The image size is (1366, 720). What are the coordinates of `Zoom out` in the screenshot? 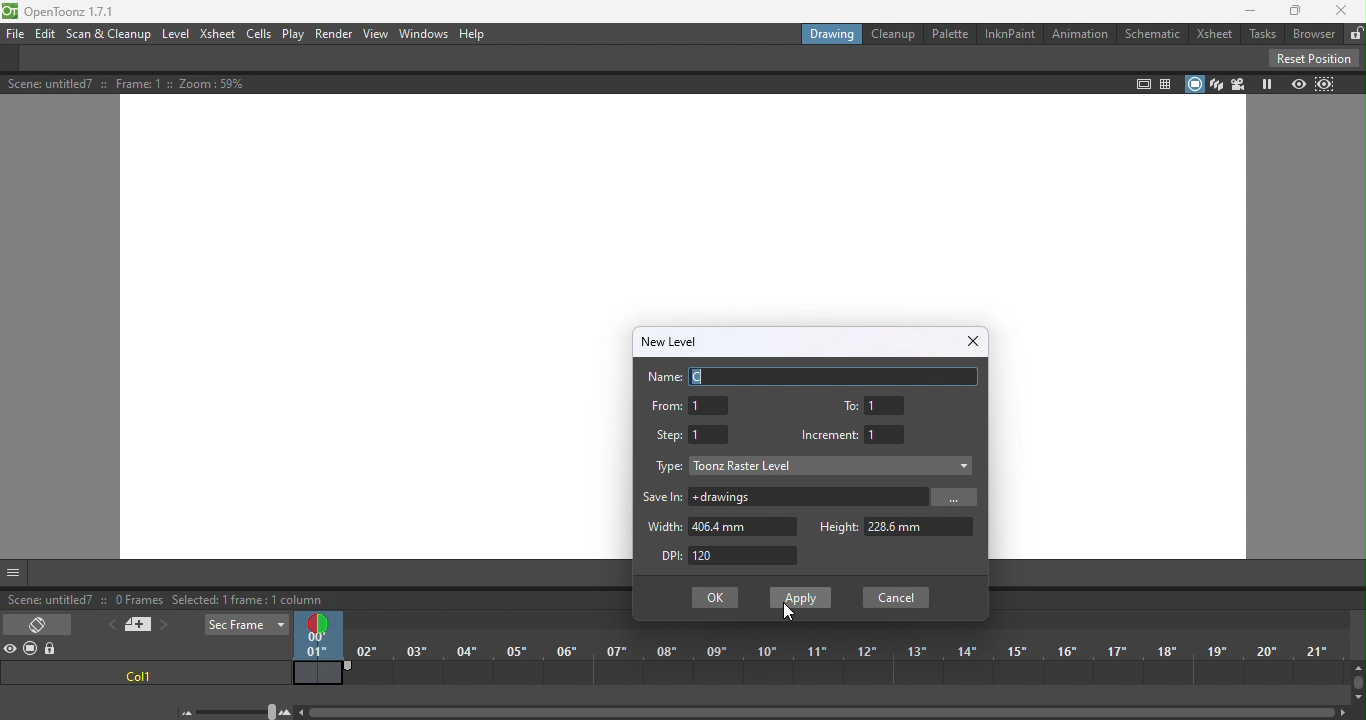 It's located at (185, 712).